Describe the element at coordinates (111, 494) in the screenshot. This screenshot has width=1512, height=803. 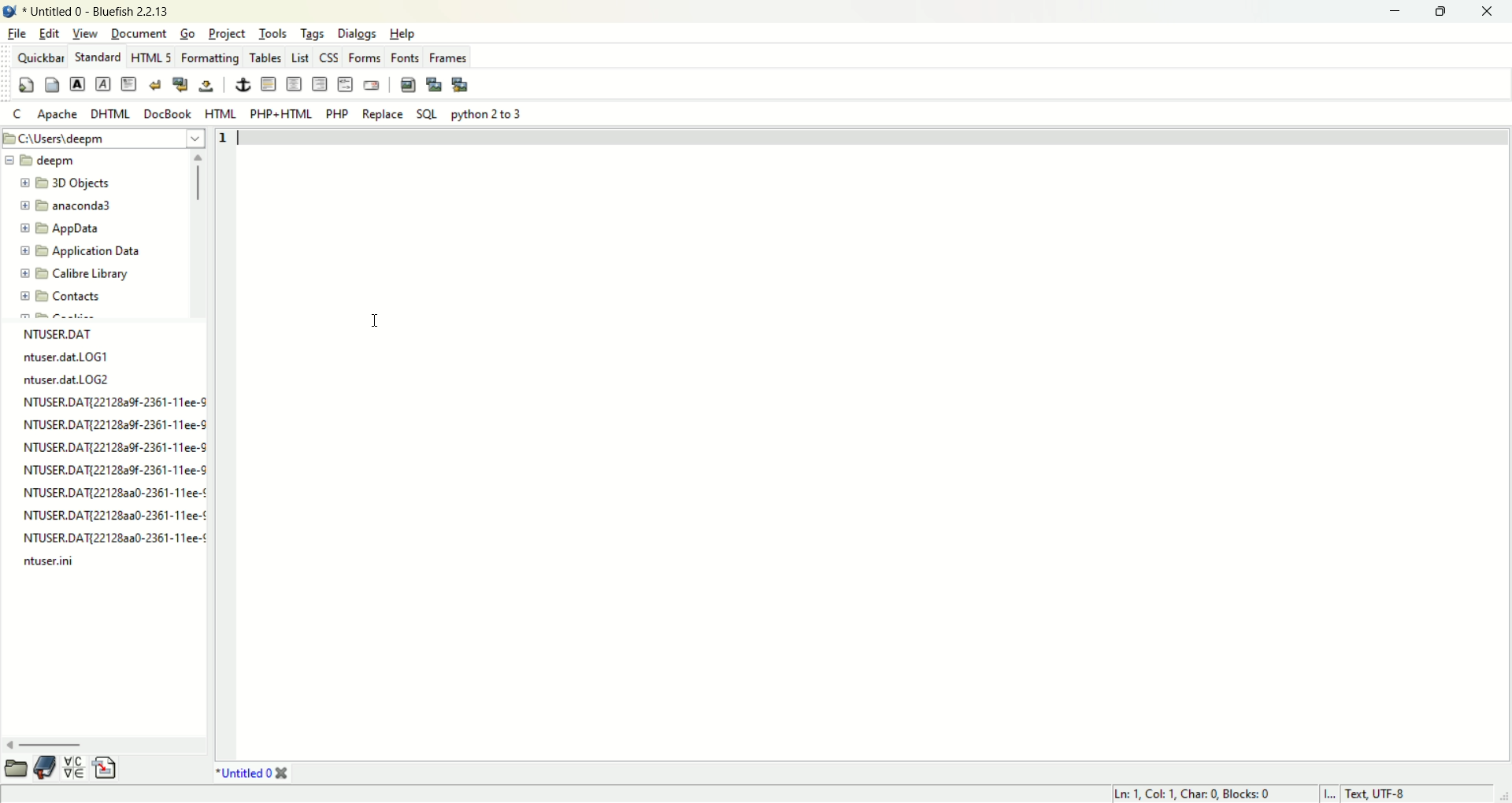
I see `NTUSER.DAT{22128aa0-2361-11ee-¢` at that location.